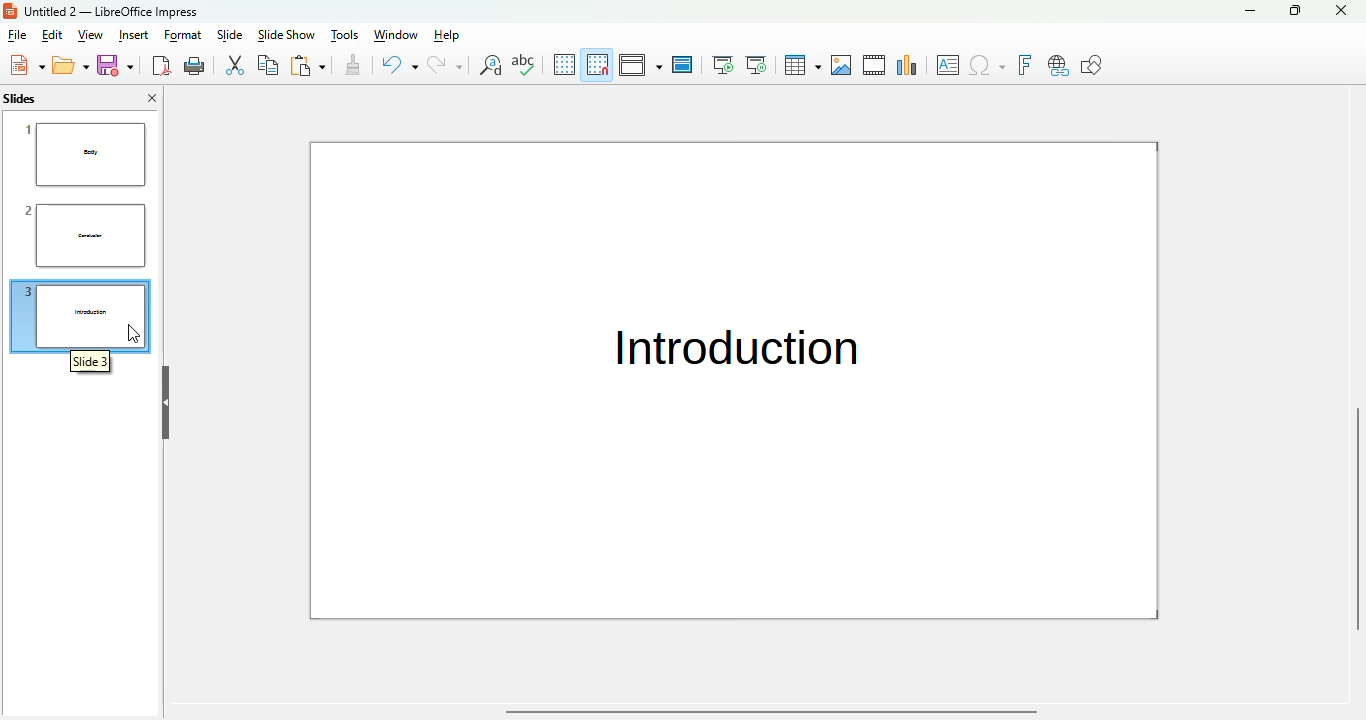  What do you see at coordinates (773, 712) in the screenshot?
I see `horizontal scroll bar` at bounding box center [773, 712].